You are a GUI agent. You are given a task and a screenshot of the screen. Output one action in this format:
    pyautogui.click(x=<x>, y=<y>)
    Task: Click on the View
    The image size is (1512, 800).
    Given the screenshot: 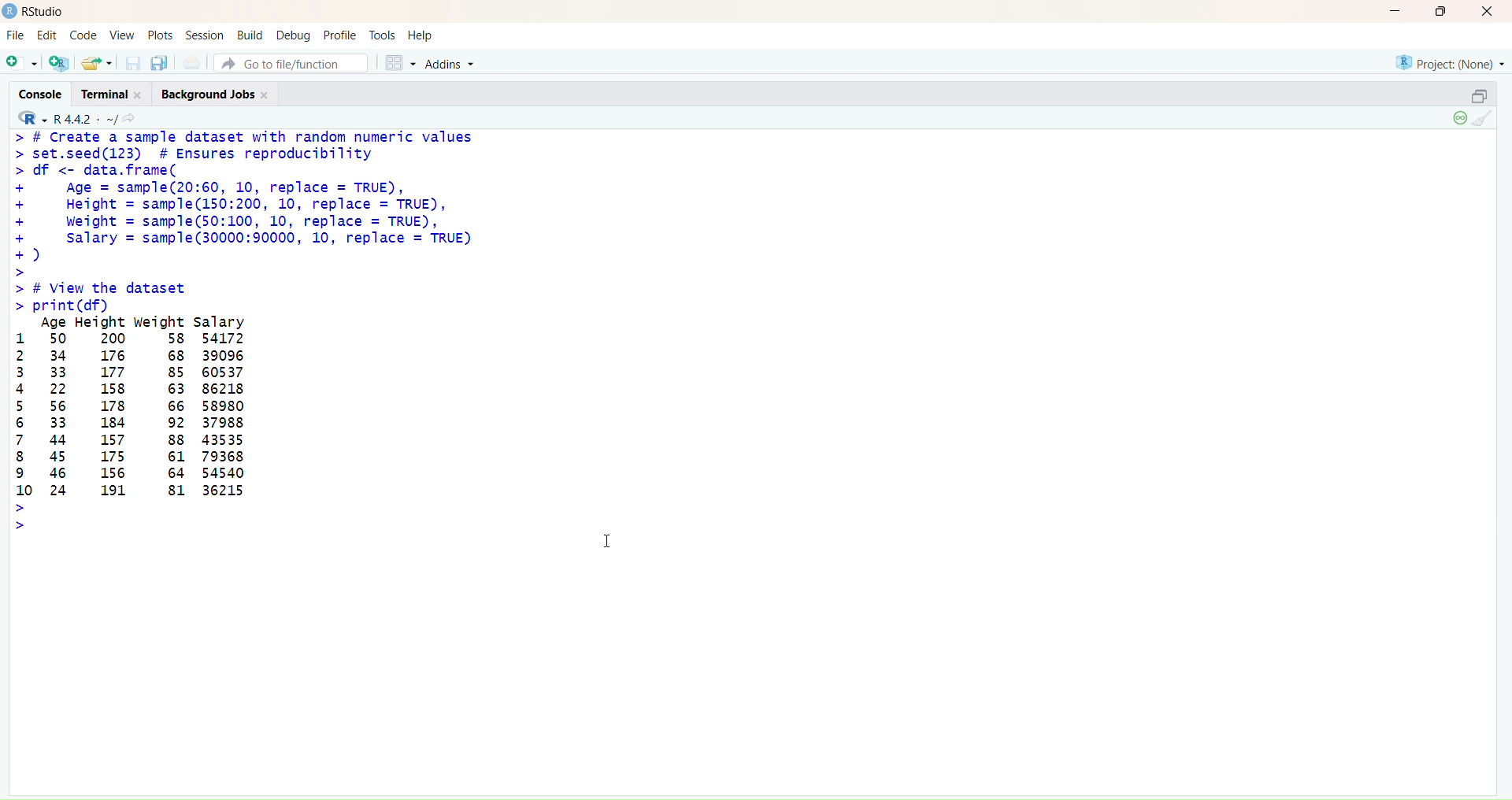 What is the action you would take?
    pyautogui.click(x=121, y=35)
    